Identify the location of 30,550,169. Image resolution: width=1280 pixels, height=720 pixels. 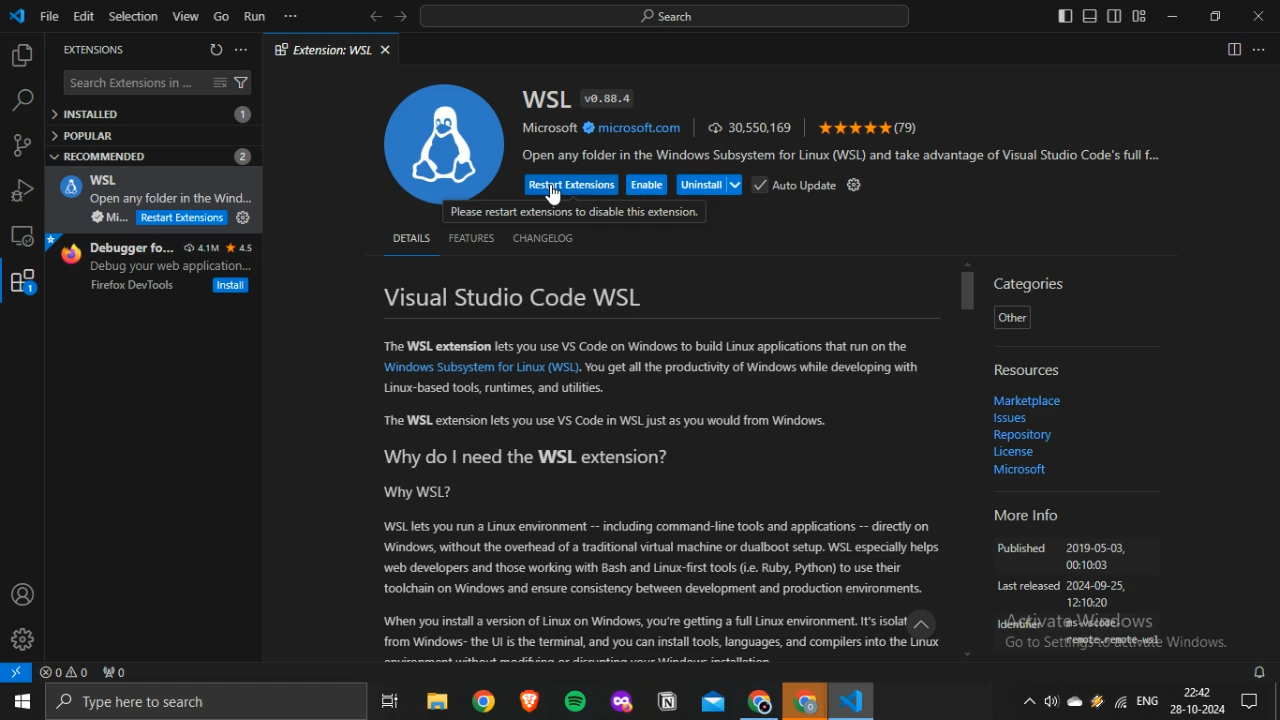
(750, 126).